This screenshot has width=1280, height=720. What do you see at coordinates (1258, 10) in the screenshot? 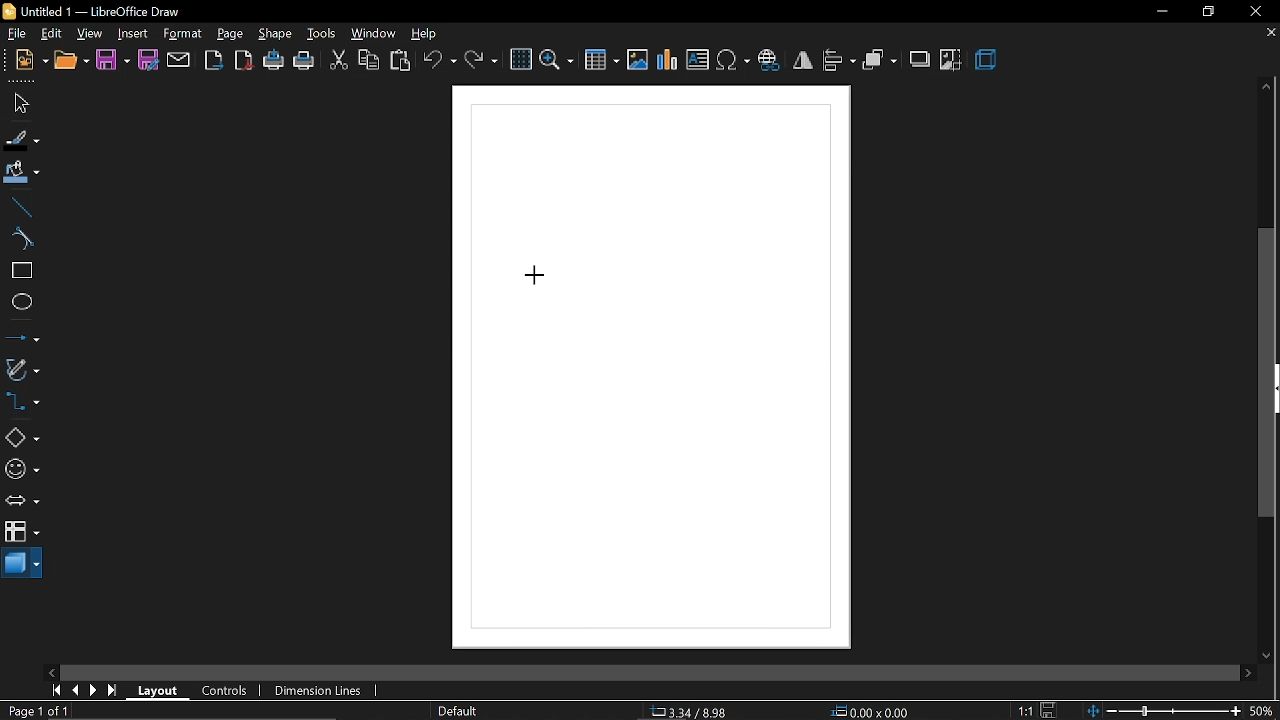
I see `close` at bounding box center [1258, 10].